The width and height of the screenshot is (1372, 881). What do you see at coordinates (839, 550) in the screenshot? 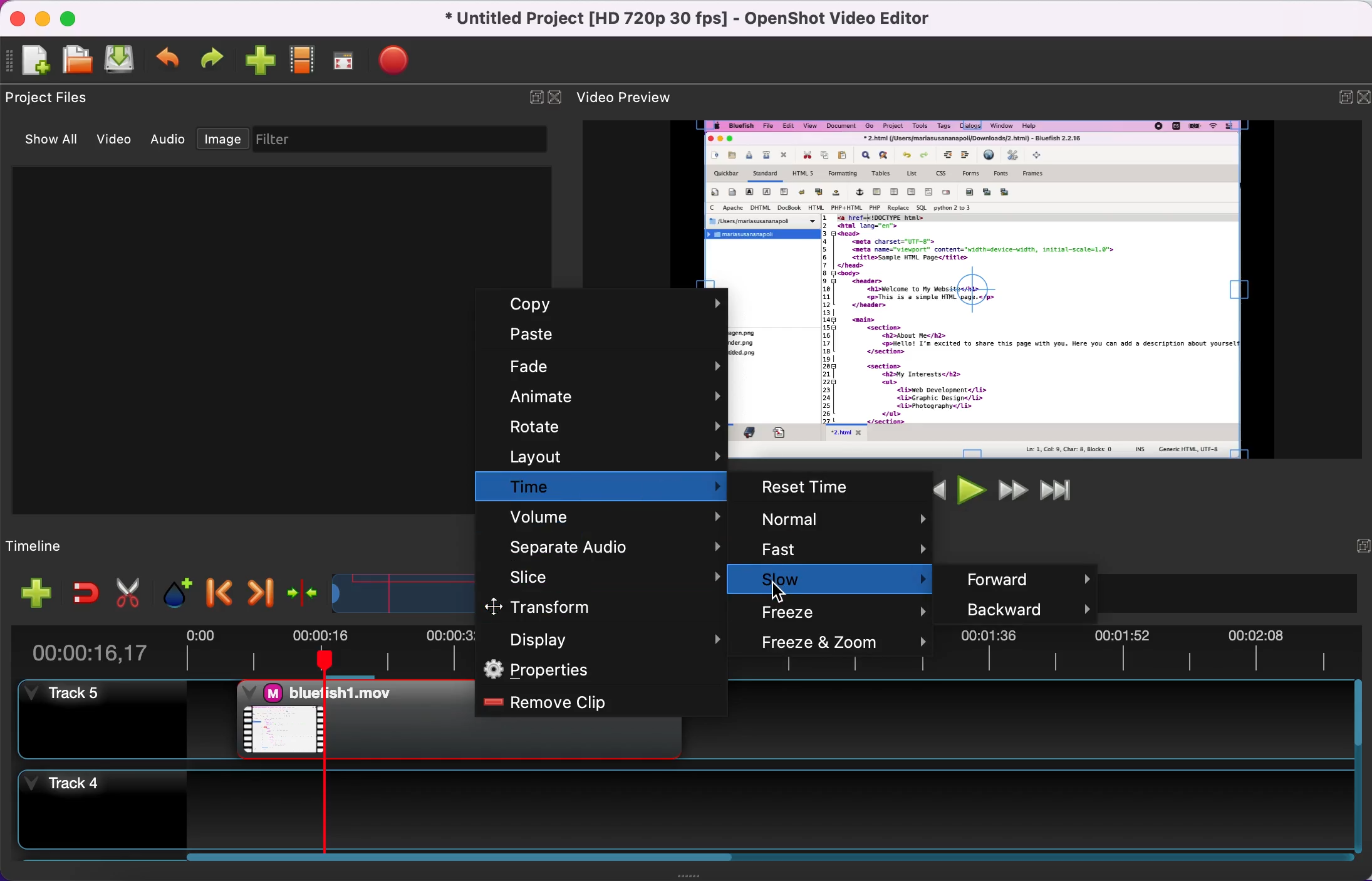
I see `fast` at bounding box center [839, 550].